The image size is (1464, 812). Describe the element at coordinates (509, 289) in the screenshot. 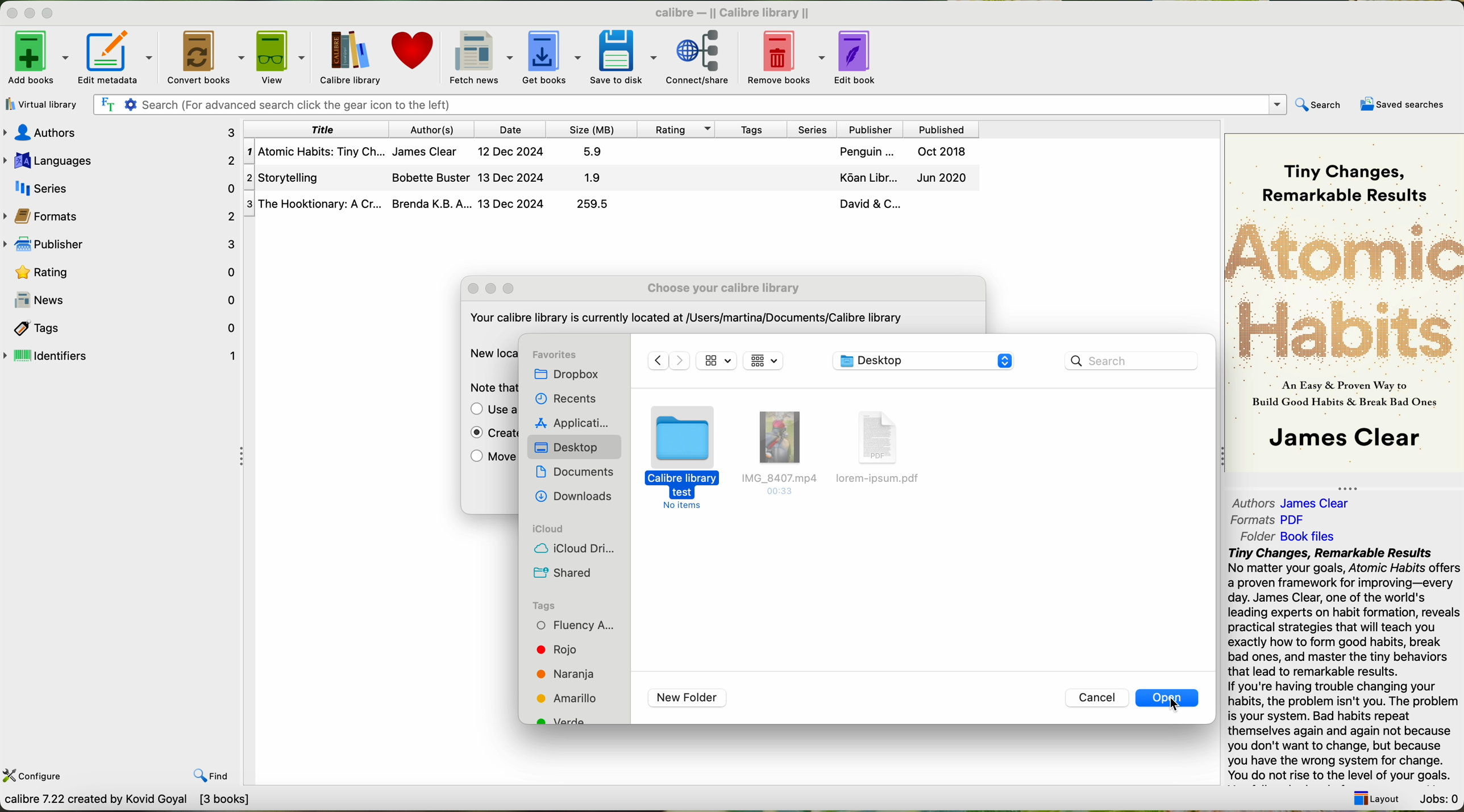

I see `maximize` at that location.